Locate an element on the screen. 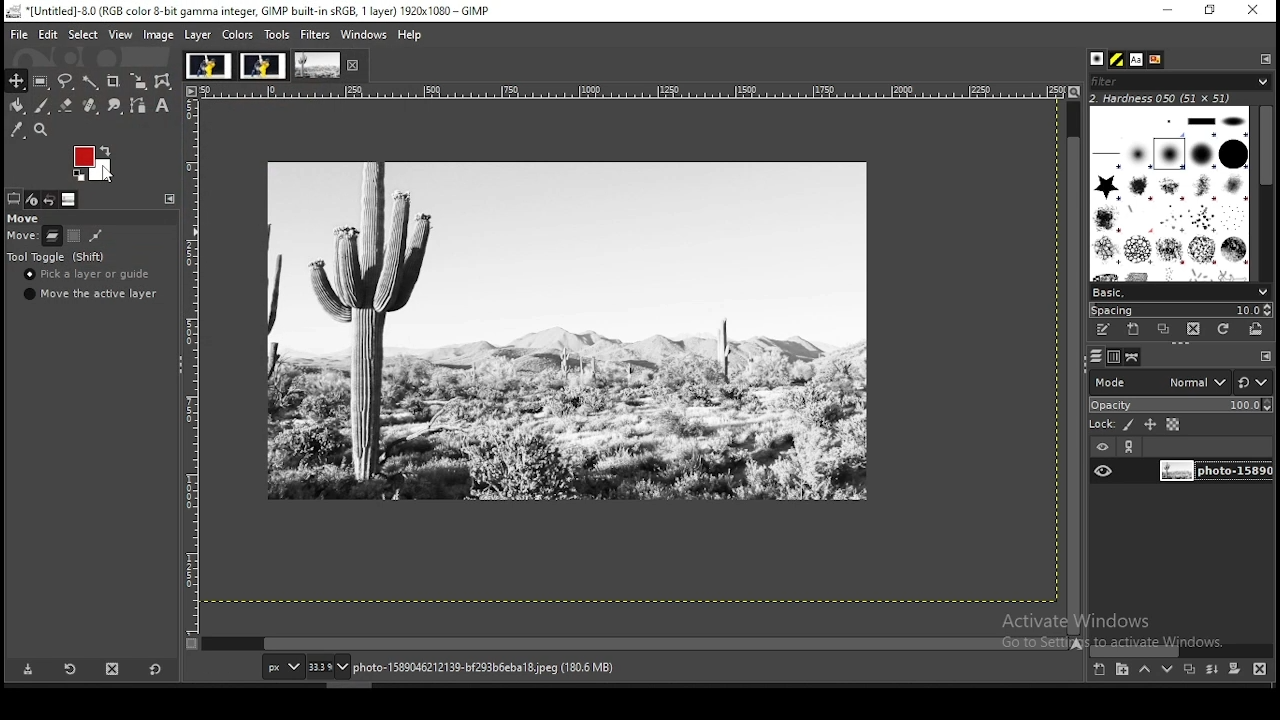  filters is located at coordinates (316, 37).